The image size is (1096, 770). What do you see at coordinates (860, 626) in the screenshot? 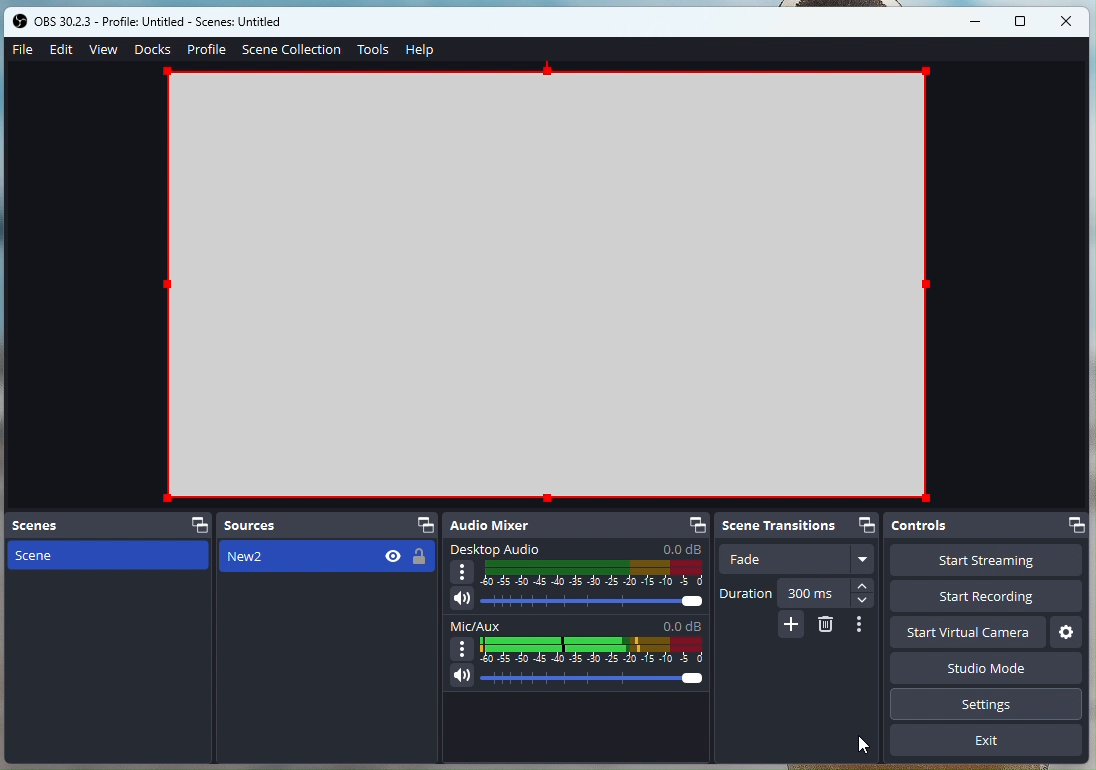
I see `More` at bounding box center [860, 626].